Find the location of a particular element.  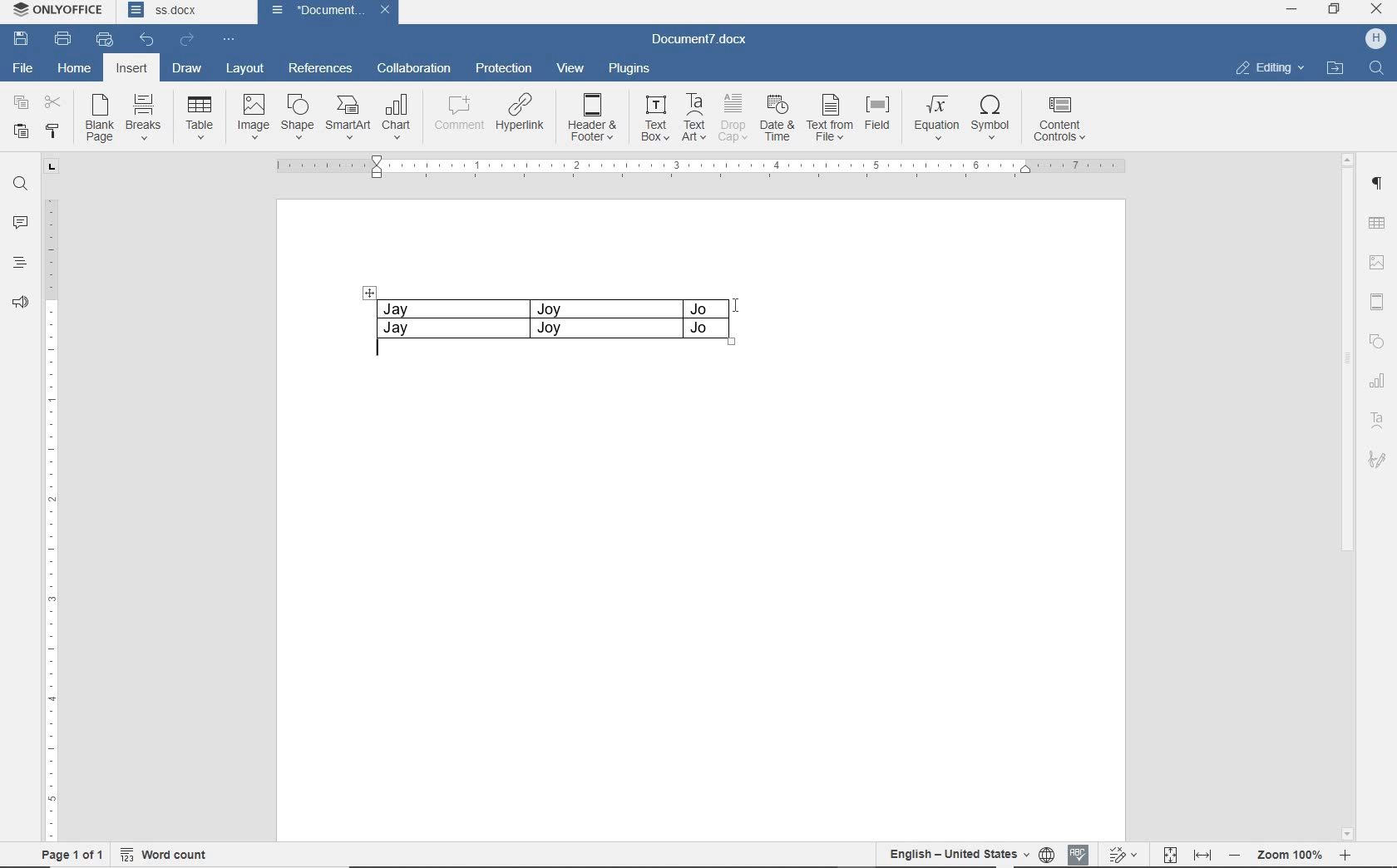

DRAW is located at coordinates (186, 67).